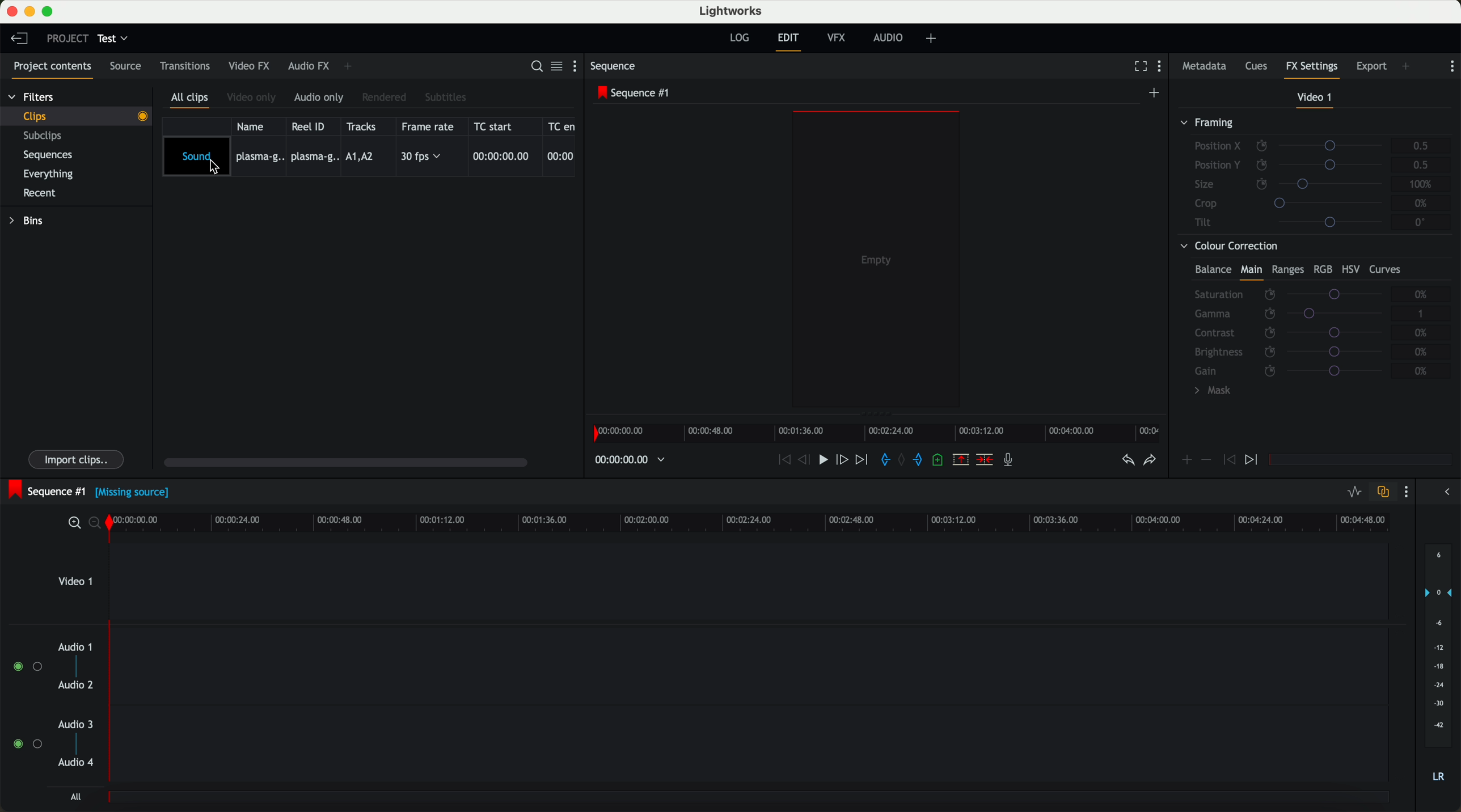 This screenshot has width=1461, height=812. What do you see at coordinates (1407, 66) in the screenshot?
I see `add` at bounding box center [1407, 66].